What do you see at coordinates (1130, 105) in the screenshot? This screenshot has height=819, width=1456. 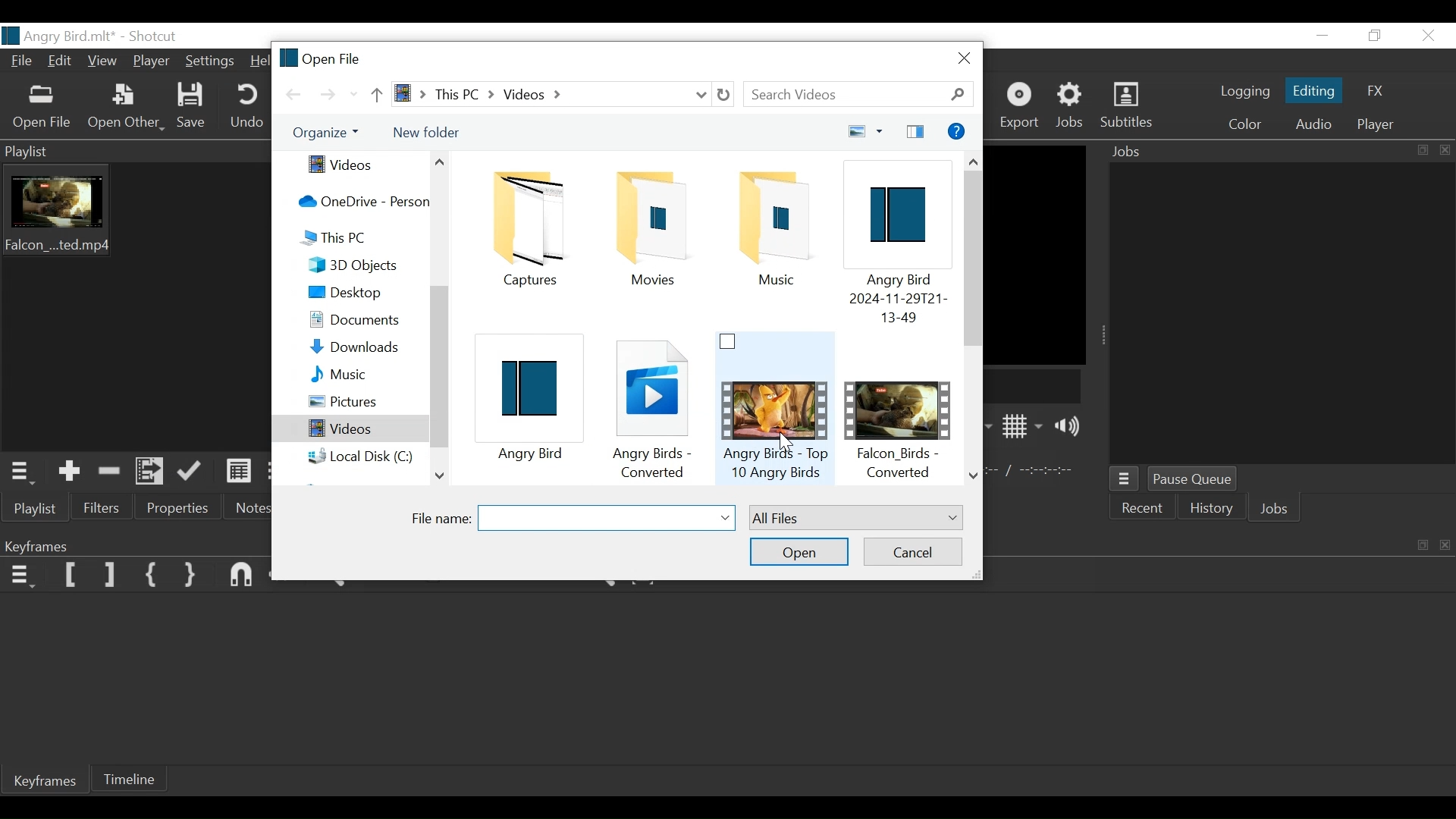 I see `Subtitles` at bounding box center [1130, 105].